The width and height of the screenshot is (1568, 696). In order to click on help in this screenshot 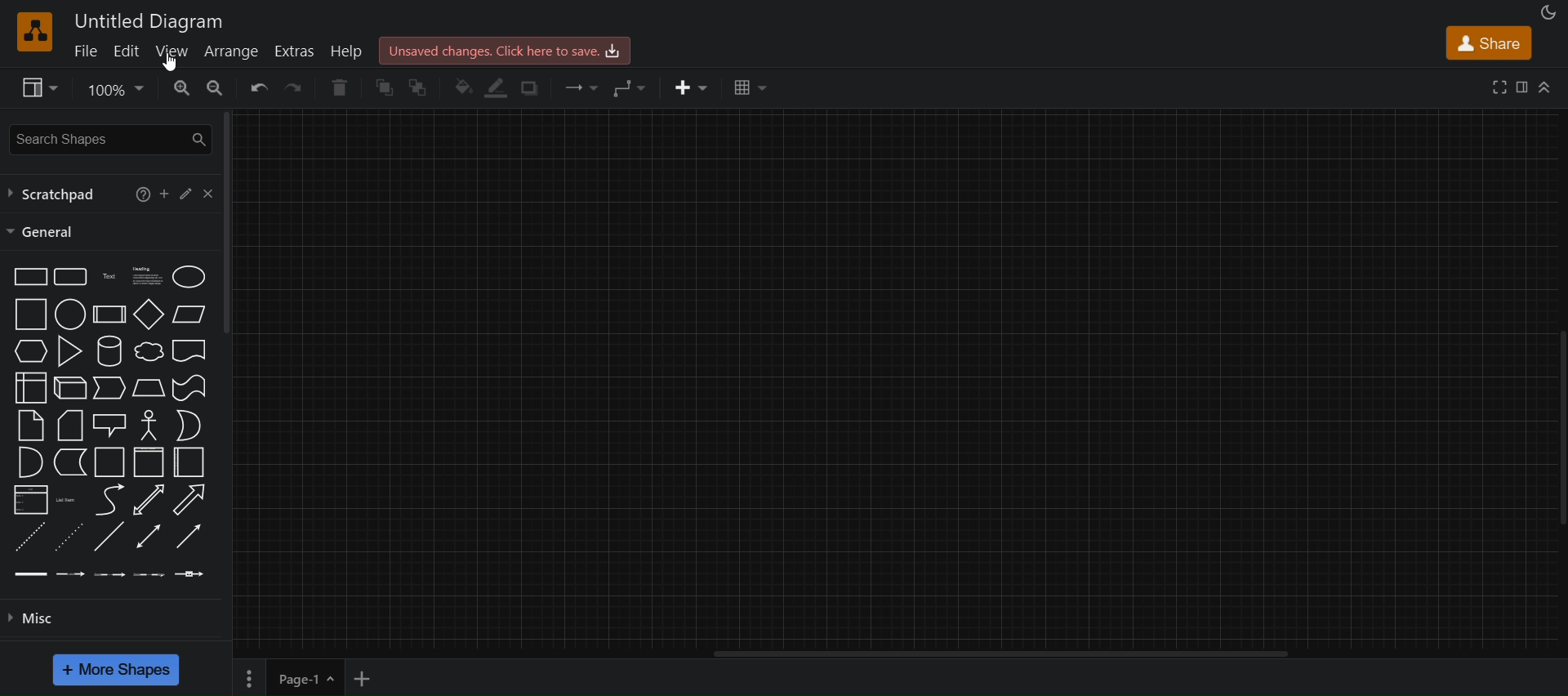, I will do `click(349, 51)`.